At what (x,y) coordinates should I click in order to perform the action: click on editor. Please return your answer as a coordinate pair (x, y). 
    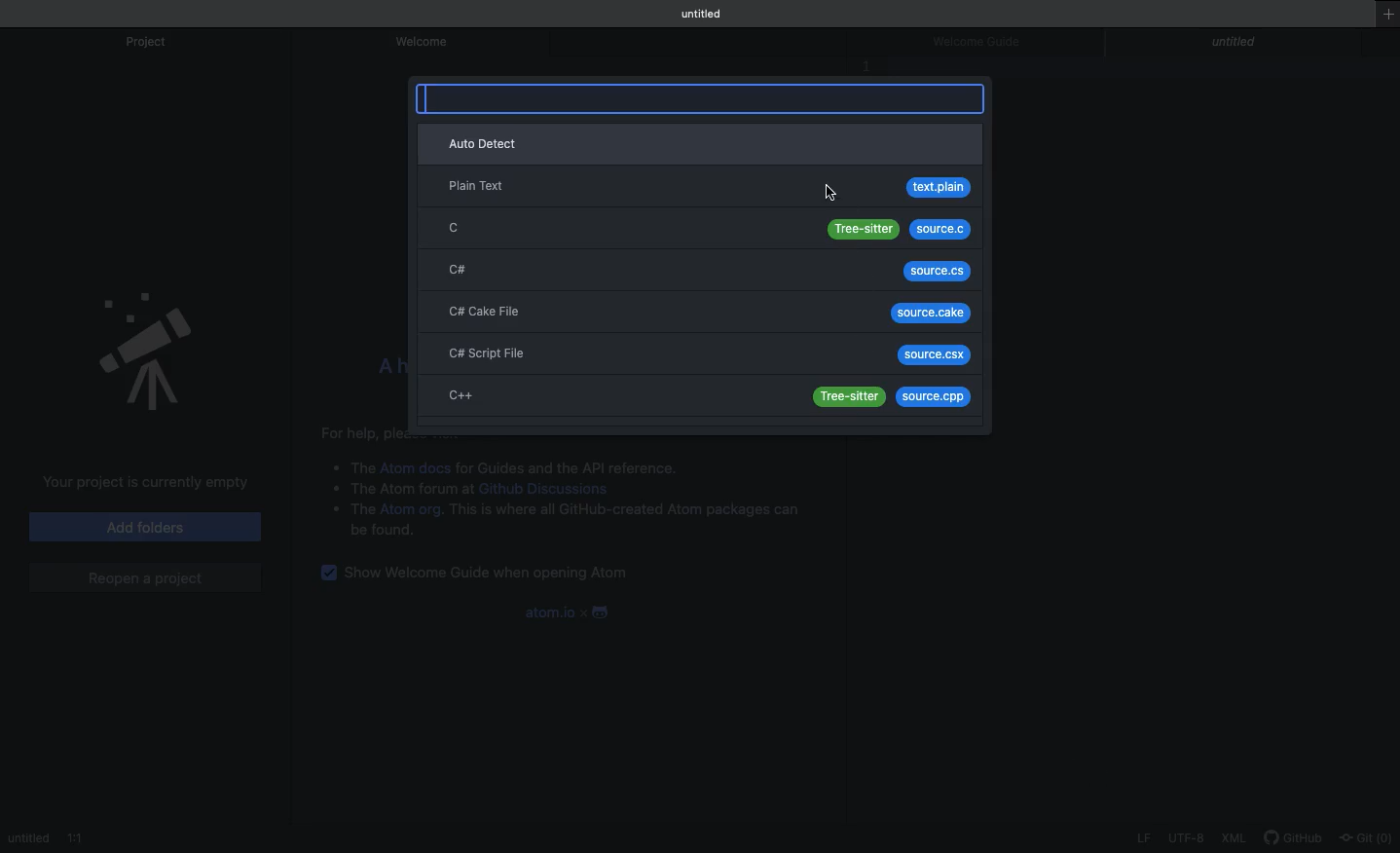
    Looking at the image, I should click on (1236, 44).